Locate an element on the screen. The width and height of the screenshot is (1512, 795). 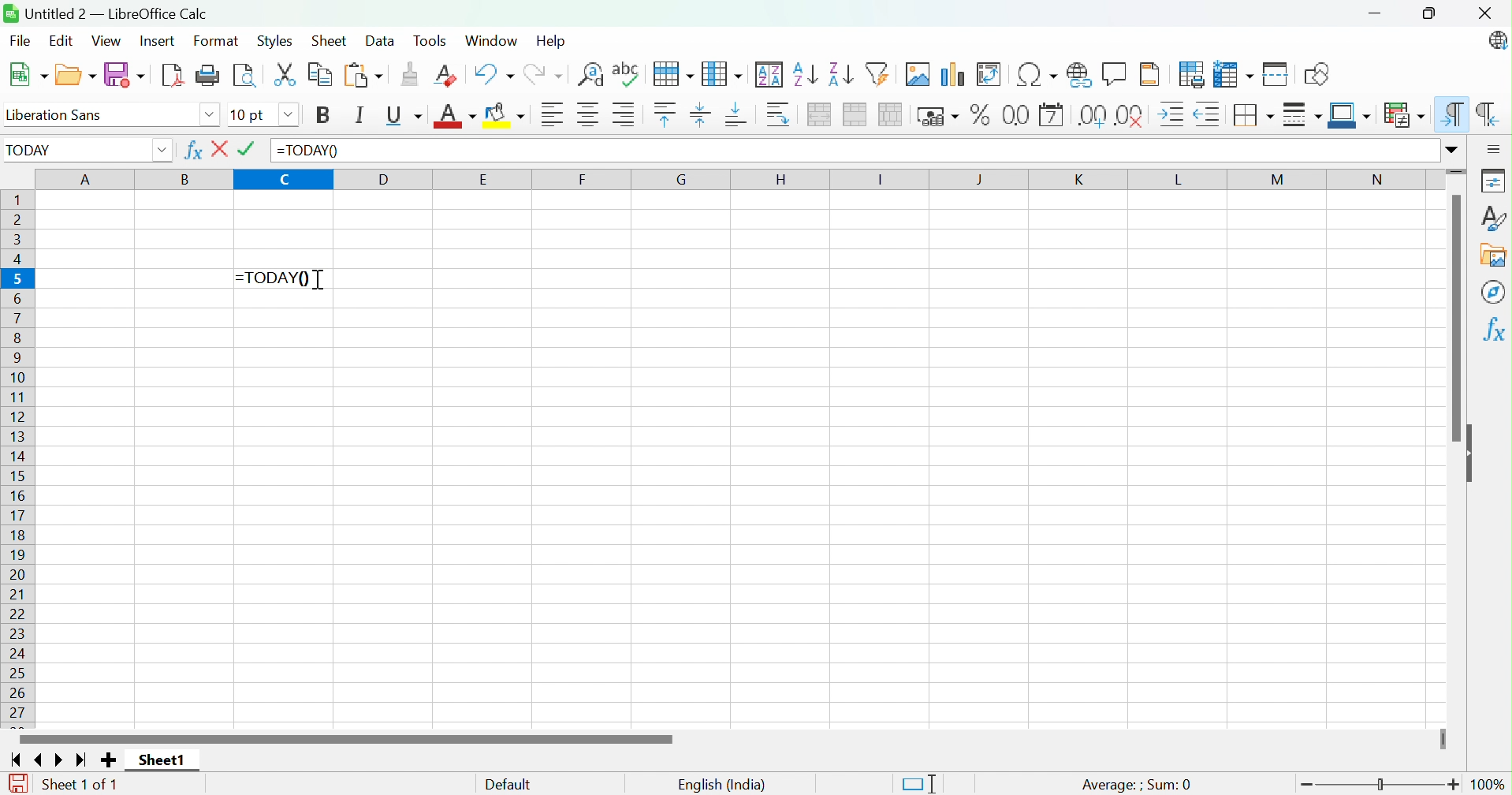
Gallery is located at coordinates (1496, 256).